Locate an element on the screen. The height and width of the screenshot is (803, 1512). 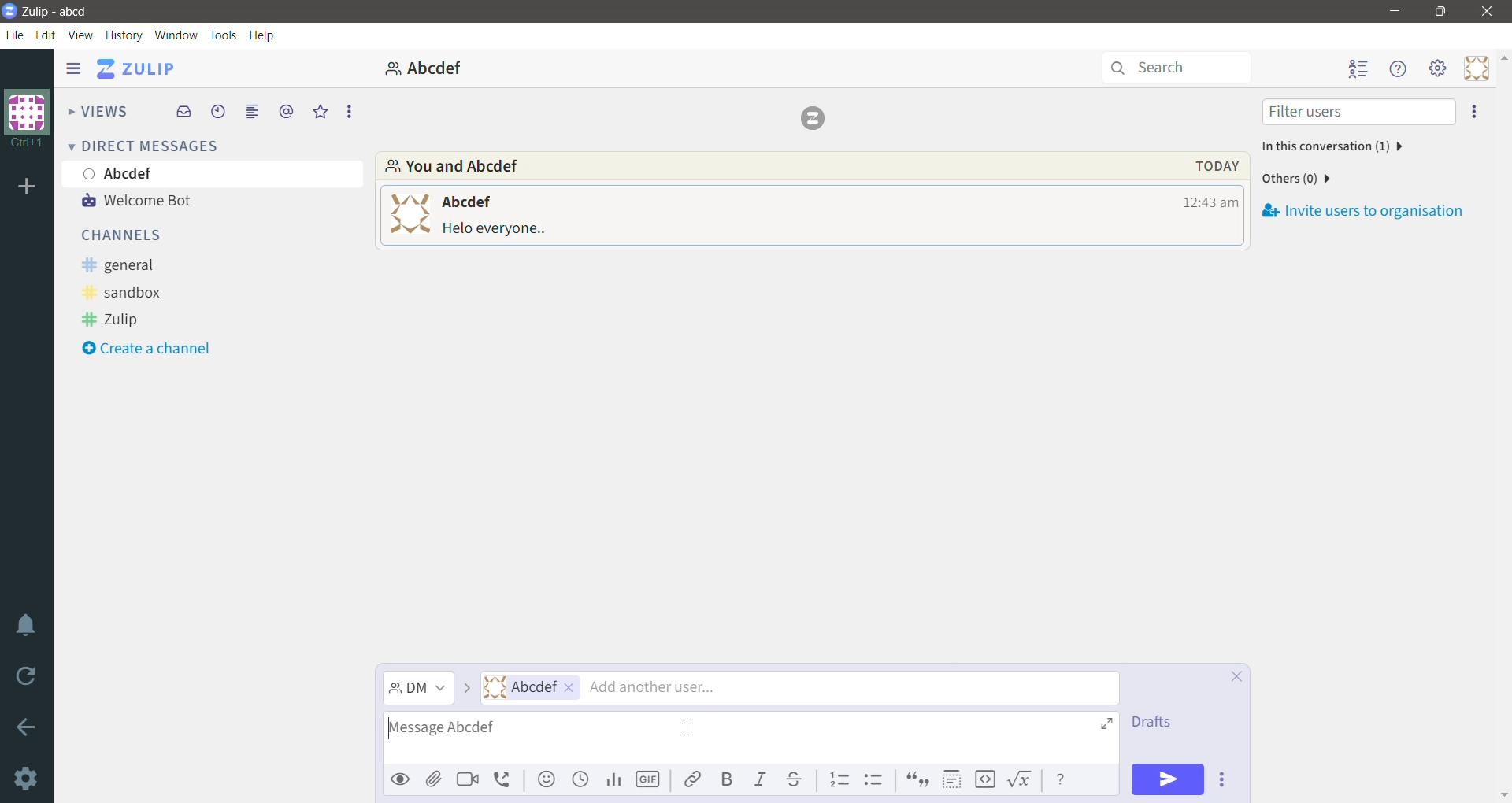
Create a channel is located at coordinates (159, 349).